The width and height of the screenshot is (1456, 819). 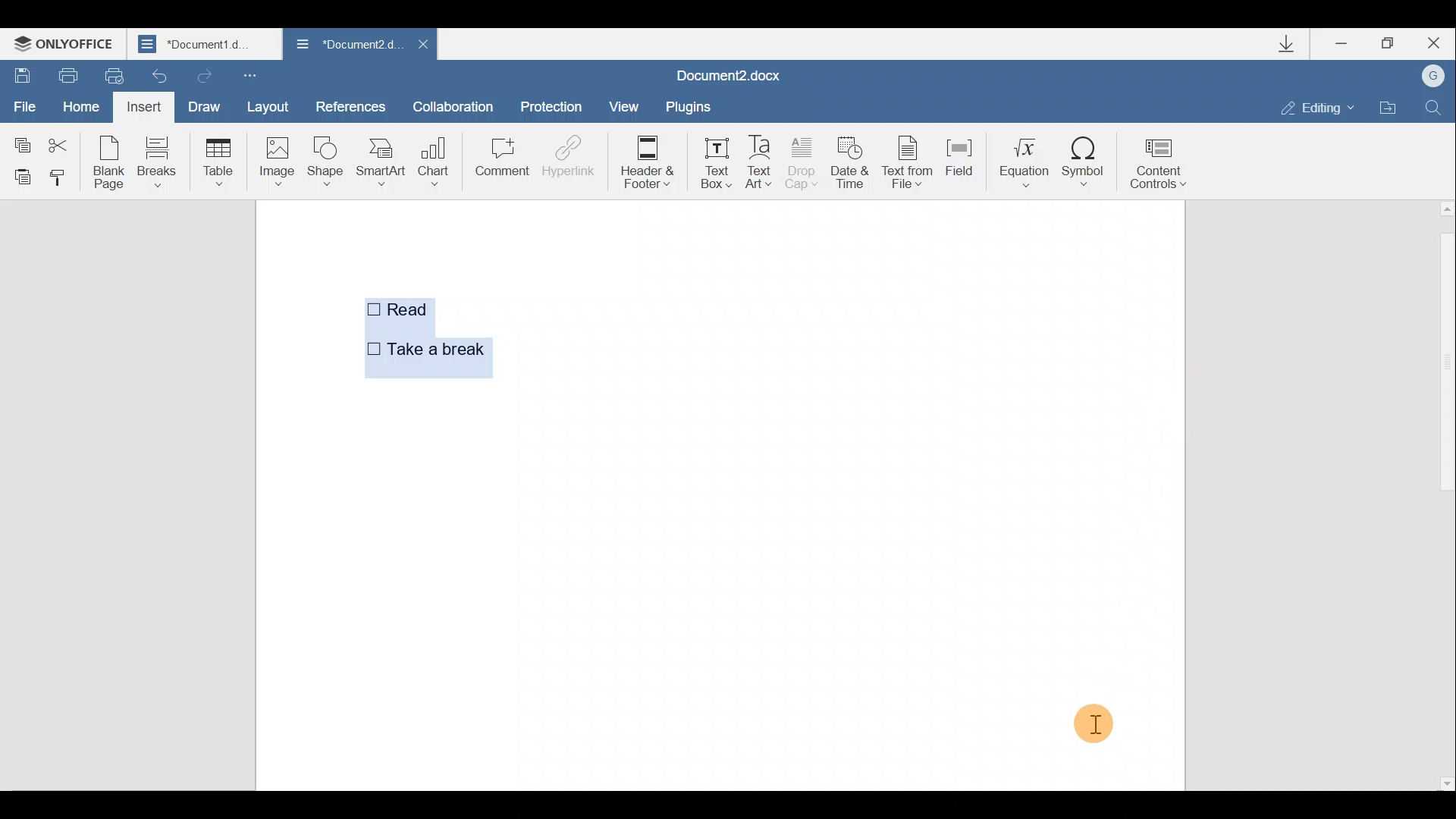 I want to click on Collaboration, so click(x=453, y=104).